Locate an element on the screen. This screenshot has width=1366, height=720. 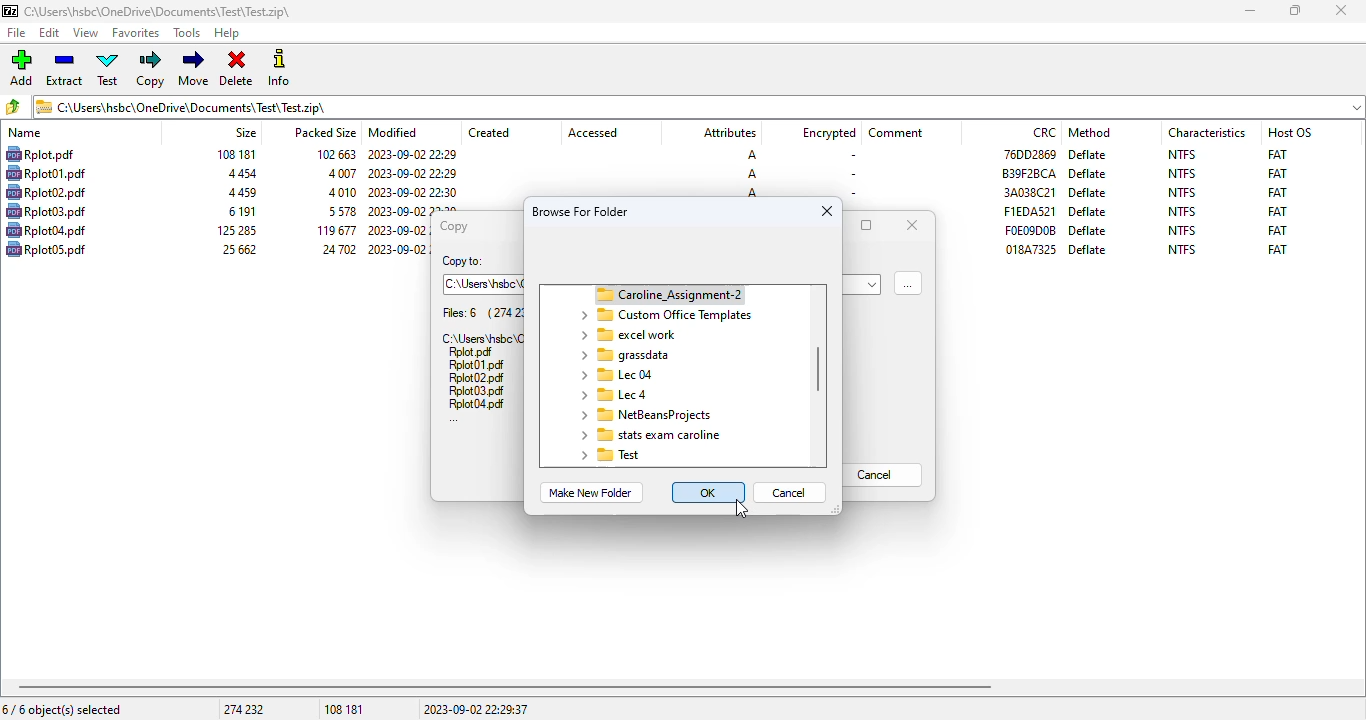
- is located at coordinates (850, 156).